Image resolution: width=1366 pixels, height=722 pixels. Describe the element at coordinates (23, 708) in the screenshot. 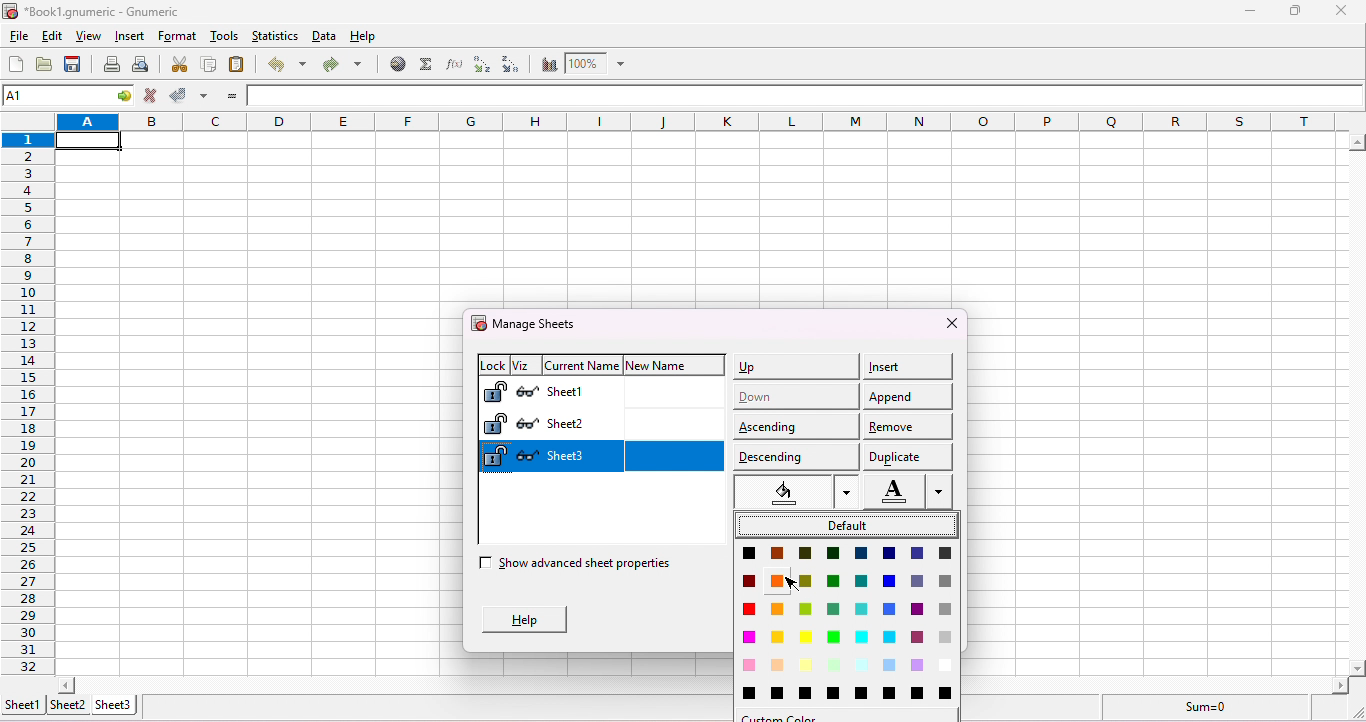

I see `sheet 1` at that location.